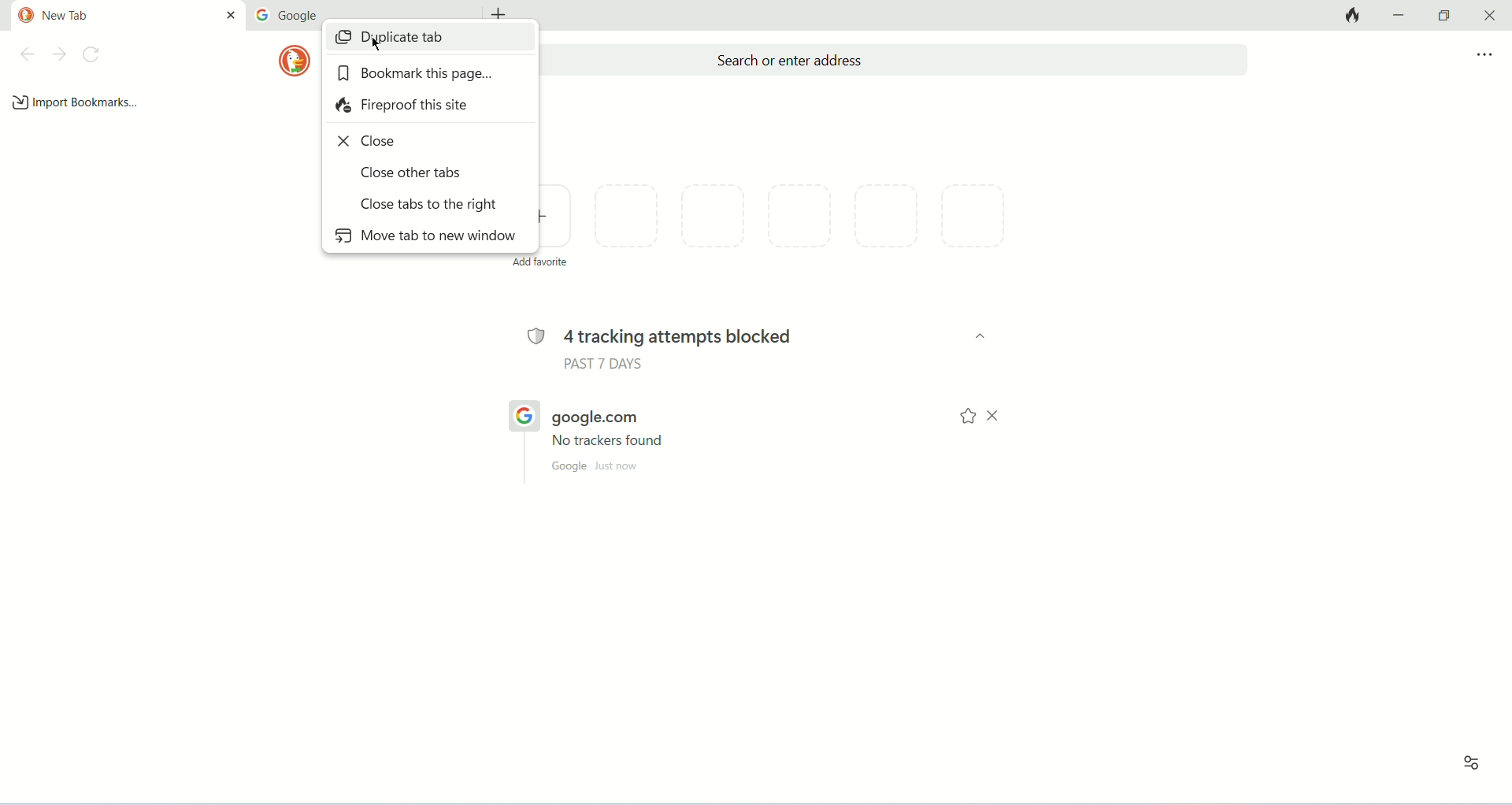 This screenshot has width=1512, height=805. I want to click on move tab to new window, so click(424, 238).